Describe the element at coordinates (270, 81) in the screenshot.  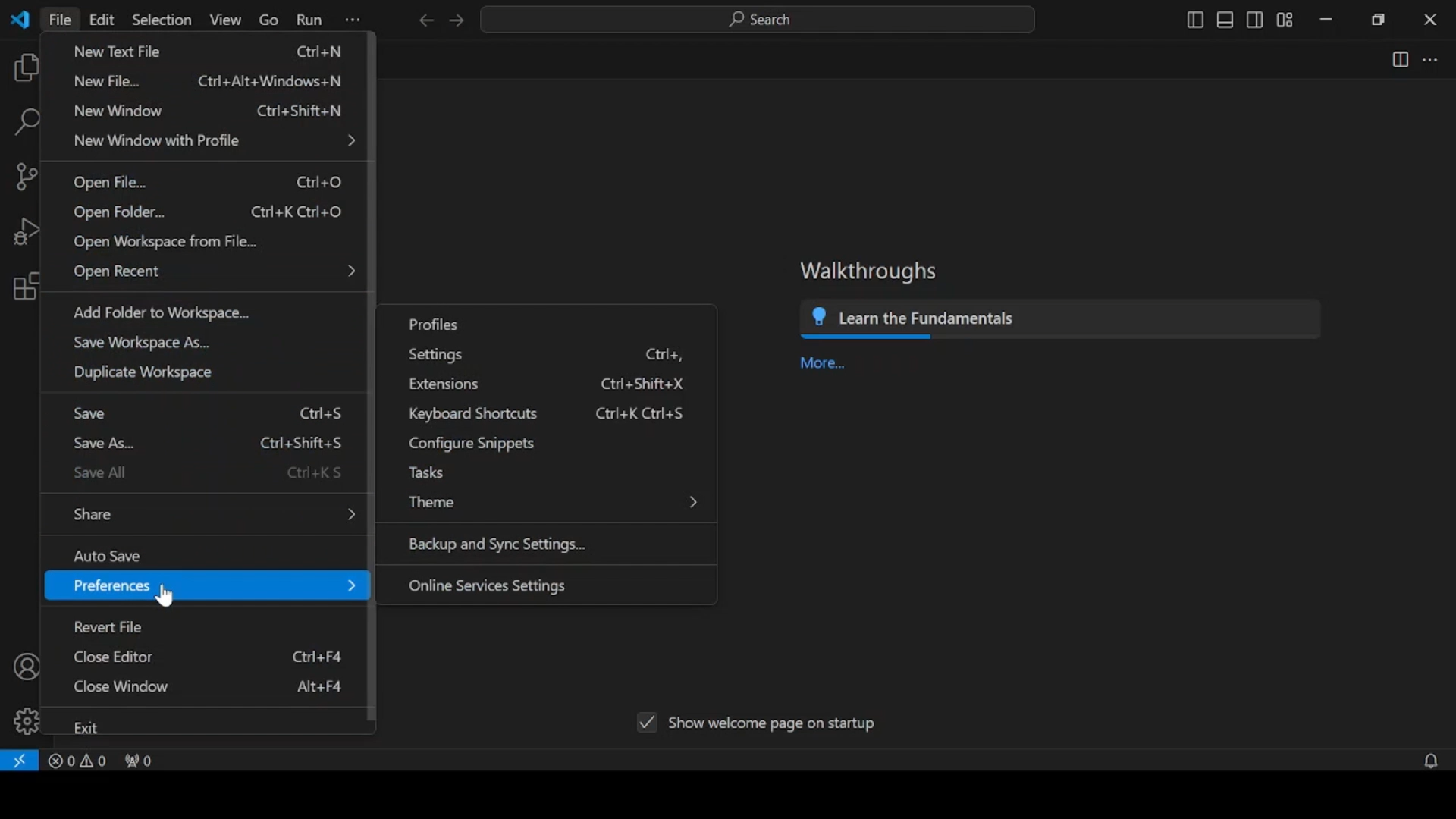
I see `Ctrl+Alt+Windows+N` at that location.